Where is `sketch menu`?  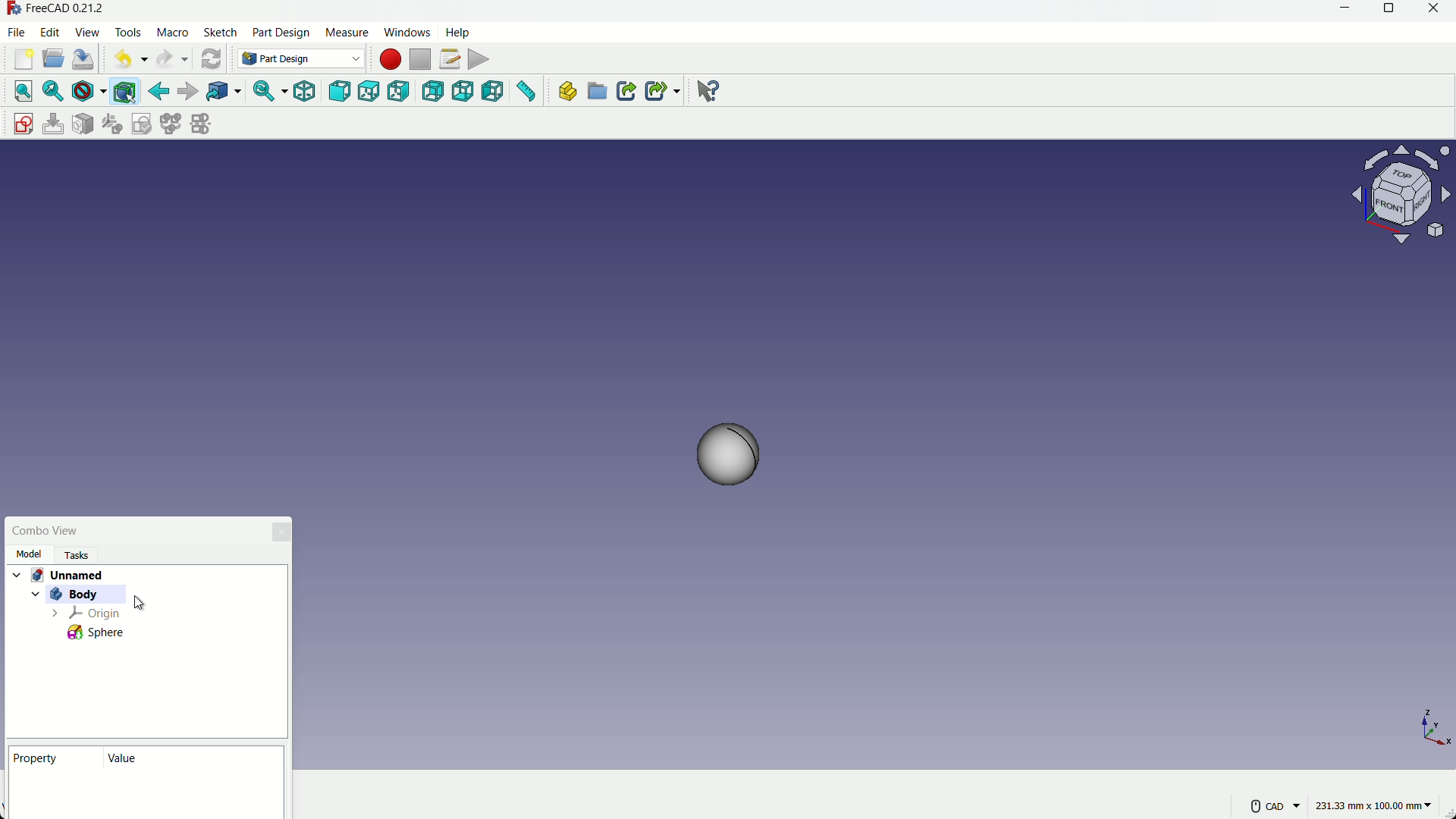 sketch menu is located at coordinates (220, 33).